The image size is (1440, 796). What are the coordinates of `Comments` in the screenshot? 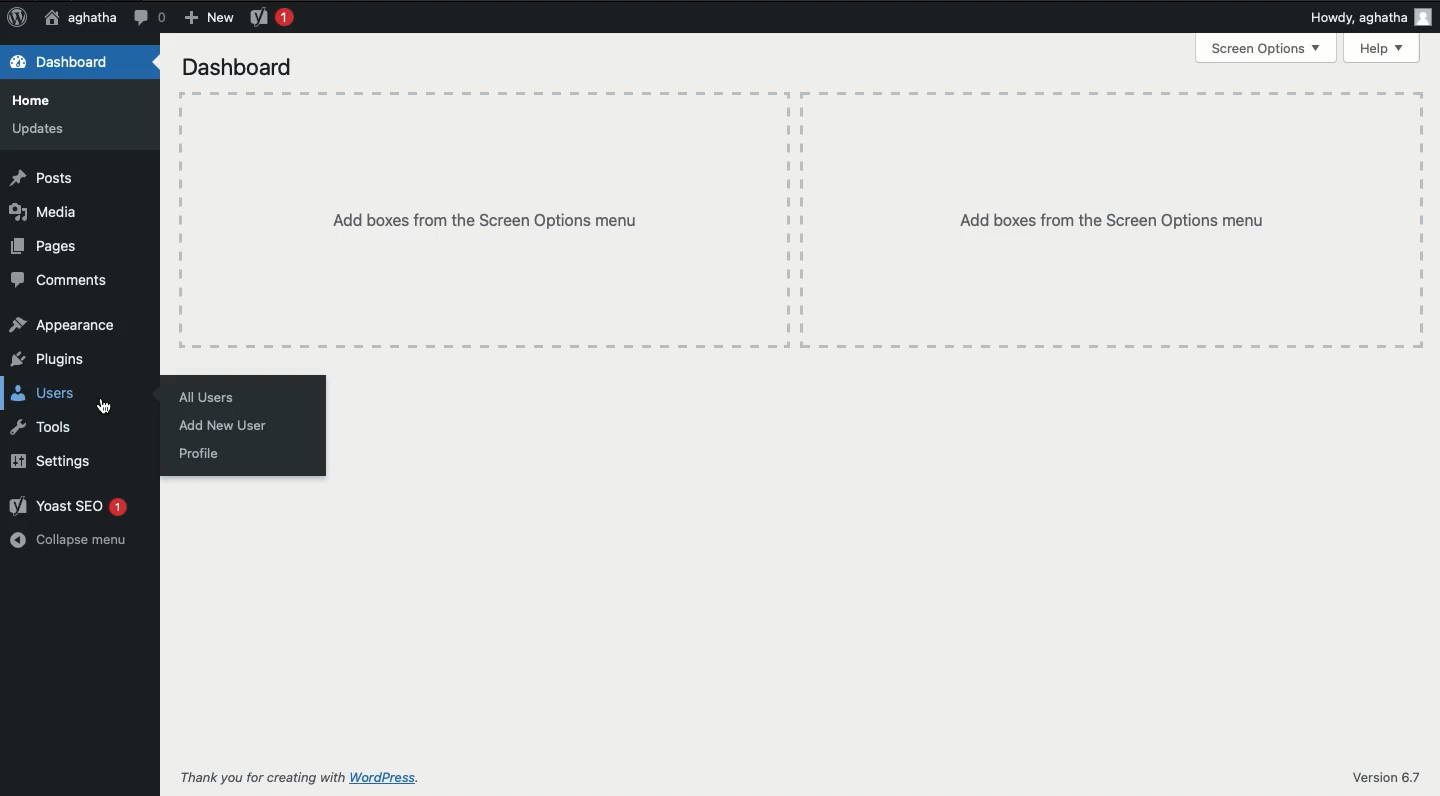 It's located at (58, 279).